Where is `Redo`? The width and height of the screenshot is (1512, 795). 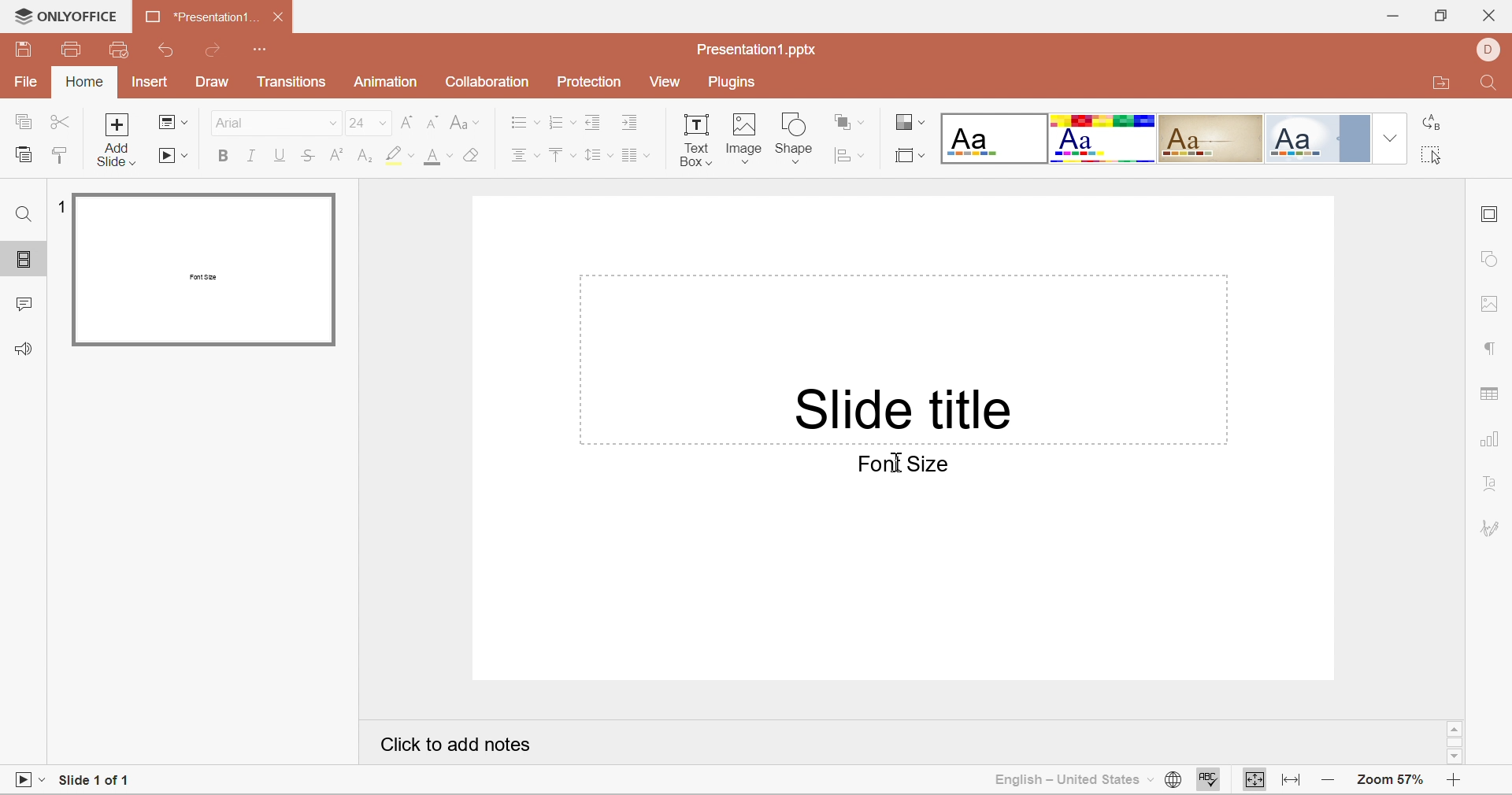 Redo is located at coordinates (217, 50).